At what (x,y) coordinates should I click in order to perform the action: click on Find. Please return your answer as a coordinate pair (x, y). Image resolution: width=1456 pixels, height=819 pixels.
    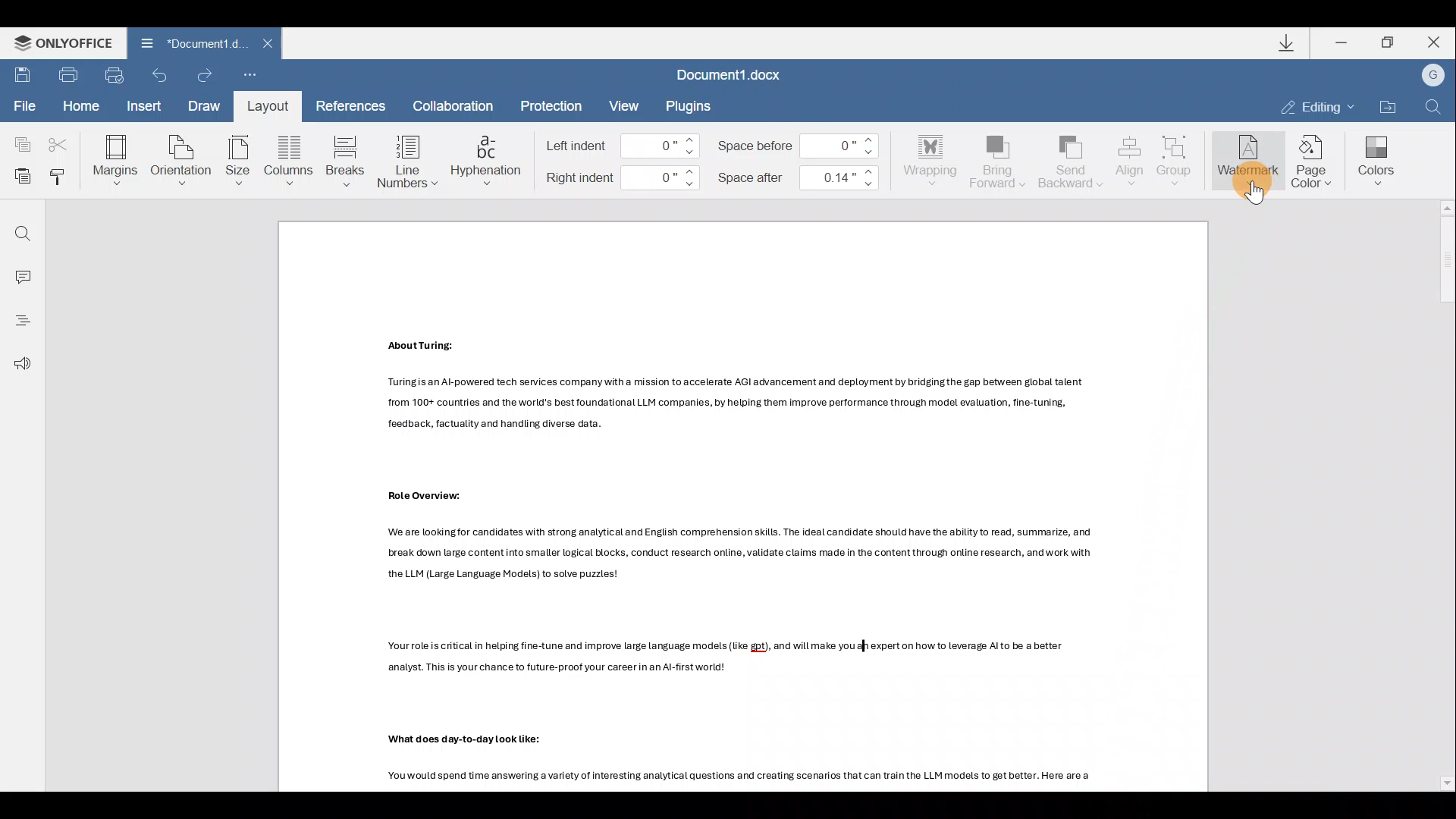
    Looking at the image, I should click on (1433, 105).